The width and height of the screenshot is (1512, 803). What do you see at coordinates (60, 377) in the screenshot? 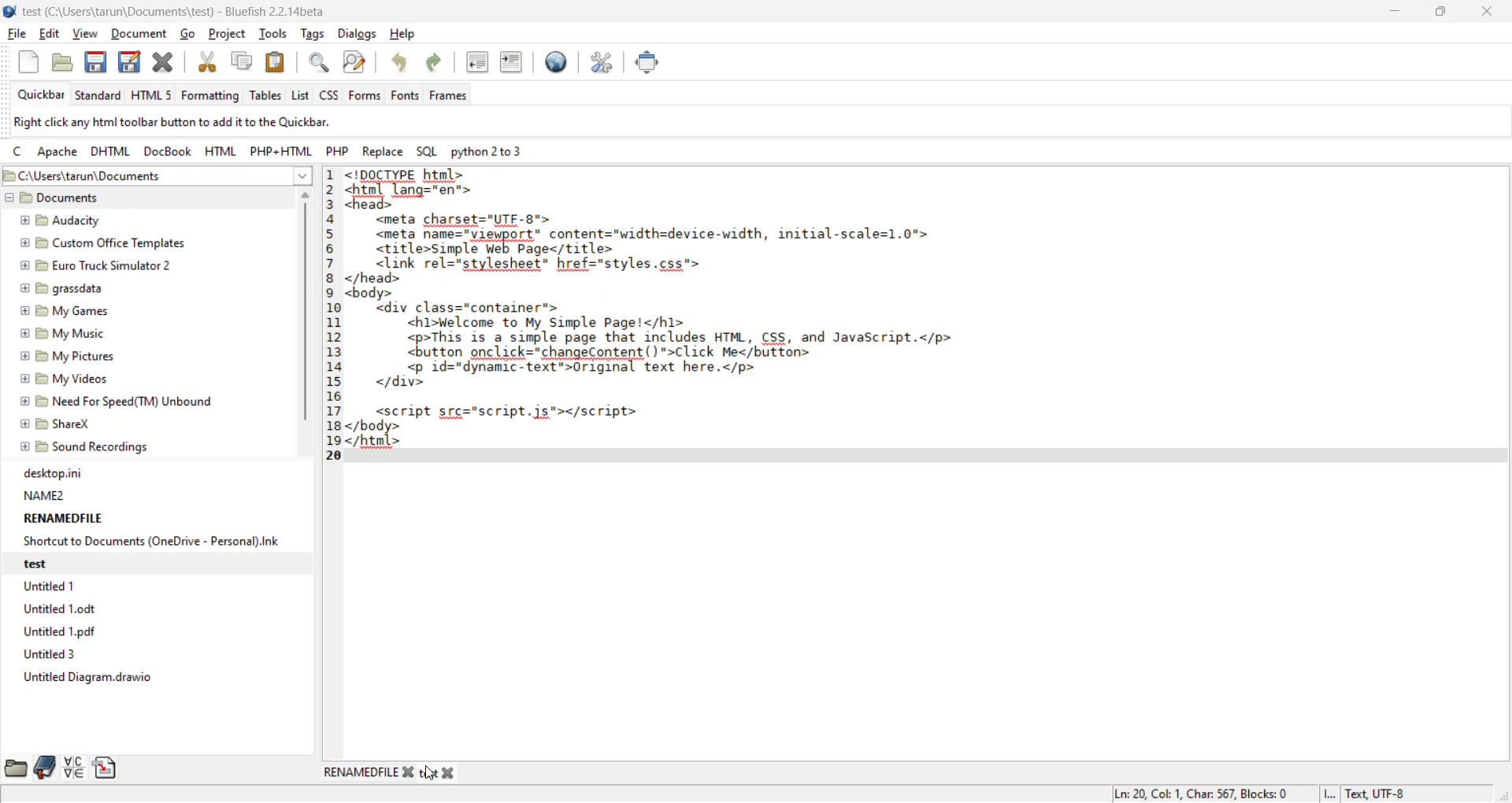
I see `My Videos` at bounding box center [60, 377].